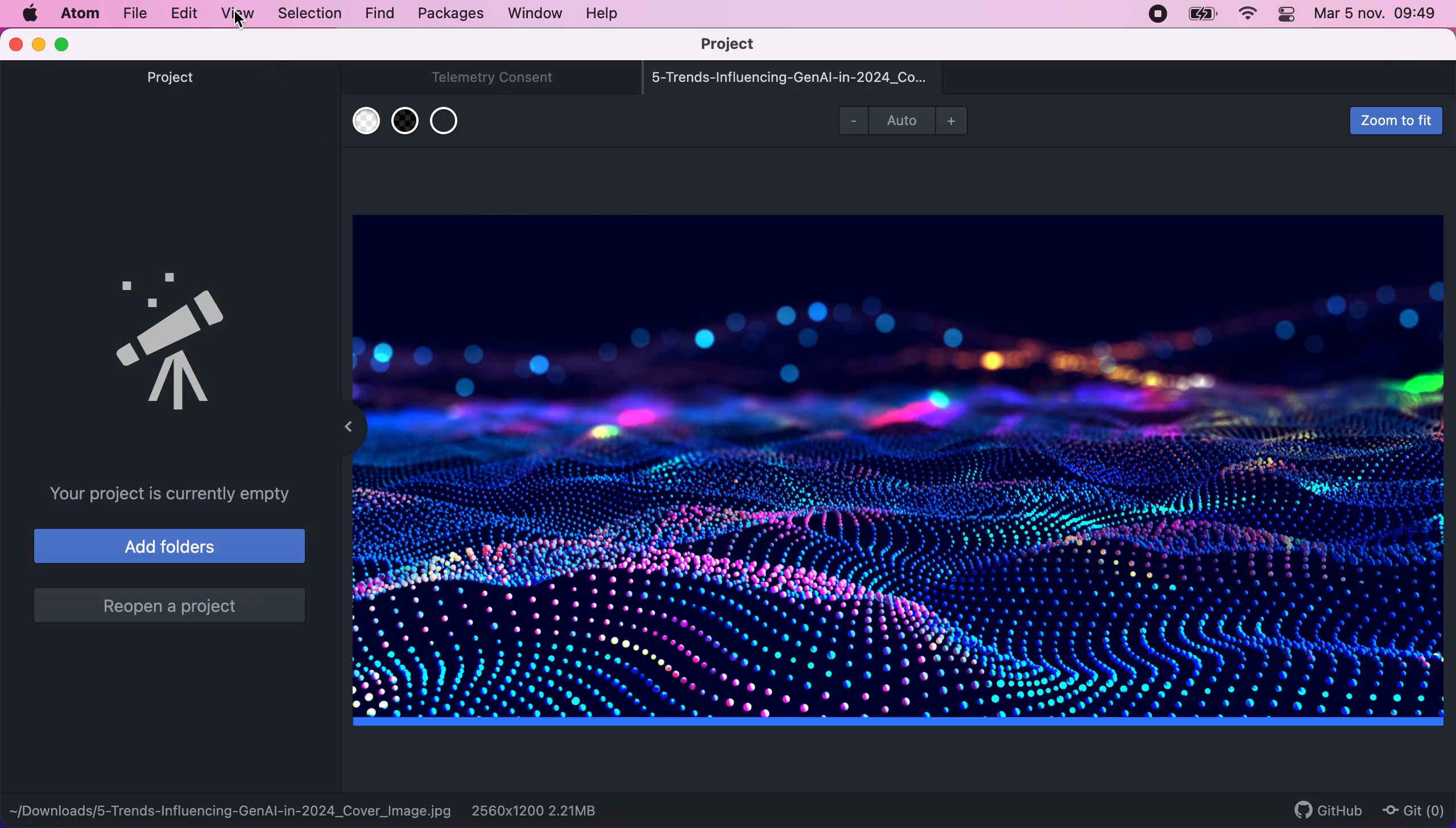 This screenshot has width=1456, height=828. I want to click on recording stopped, so click(1159, 16).